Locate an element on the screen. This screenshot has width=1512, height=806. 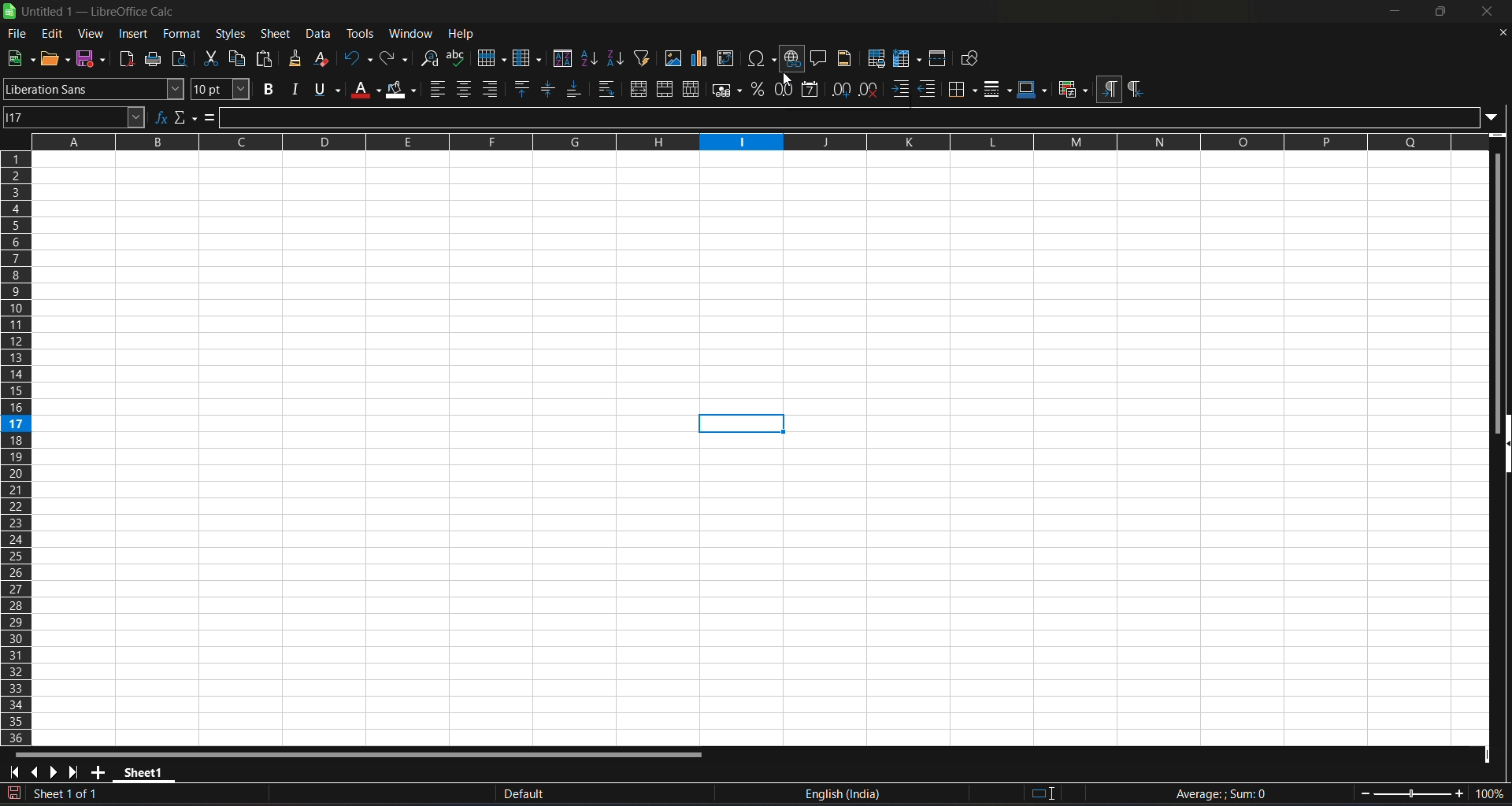
bold is located at coordinates (269, 89).